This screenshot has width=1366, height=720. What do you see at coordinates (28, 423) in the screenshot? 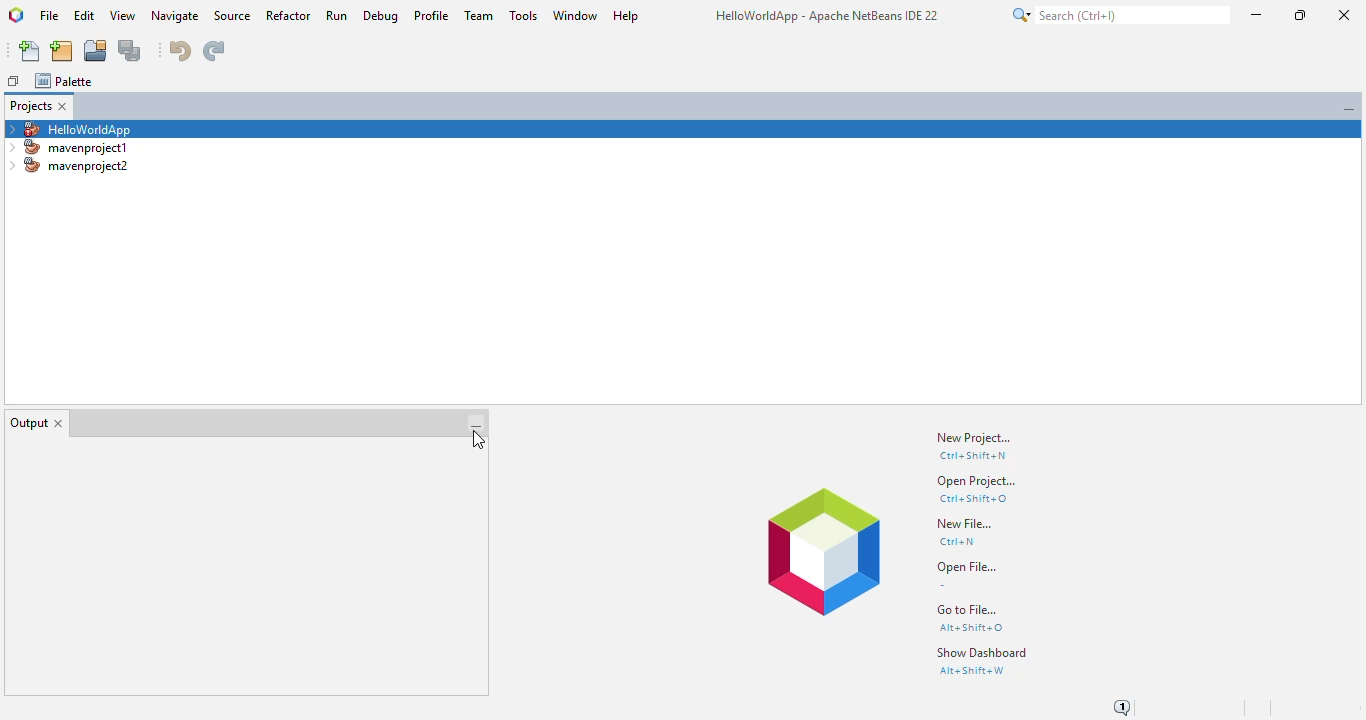
I see `output` at bounding box center [28, 423].